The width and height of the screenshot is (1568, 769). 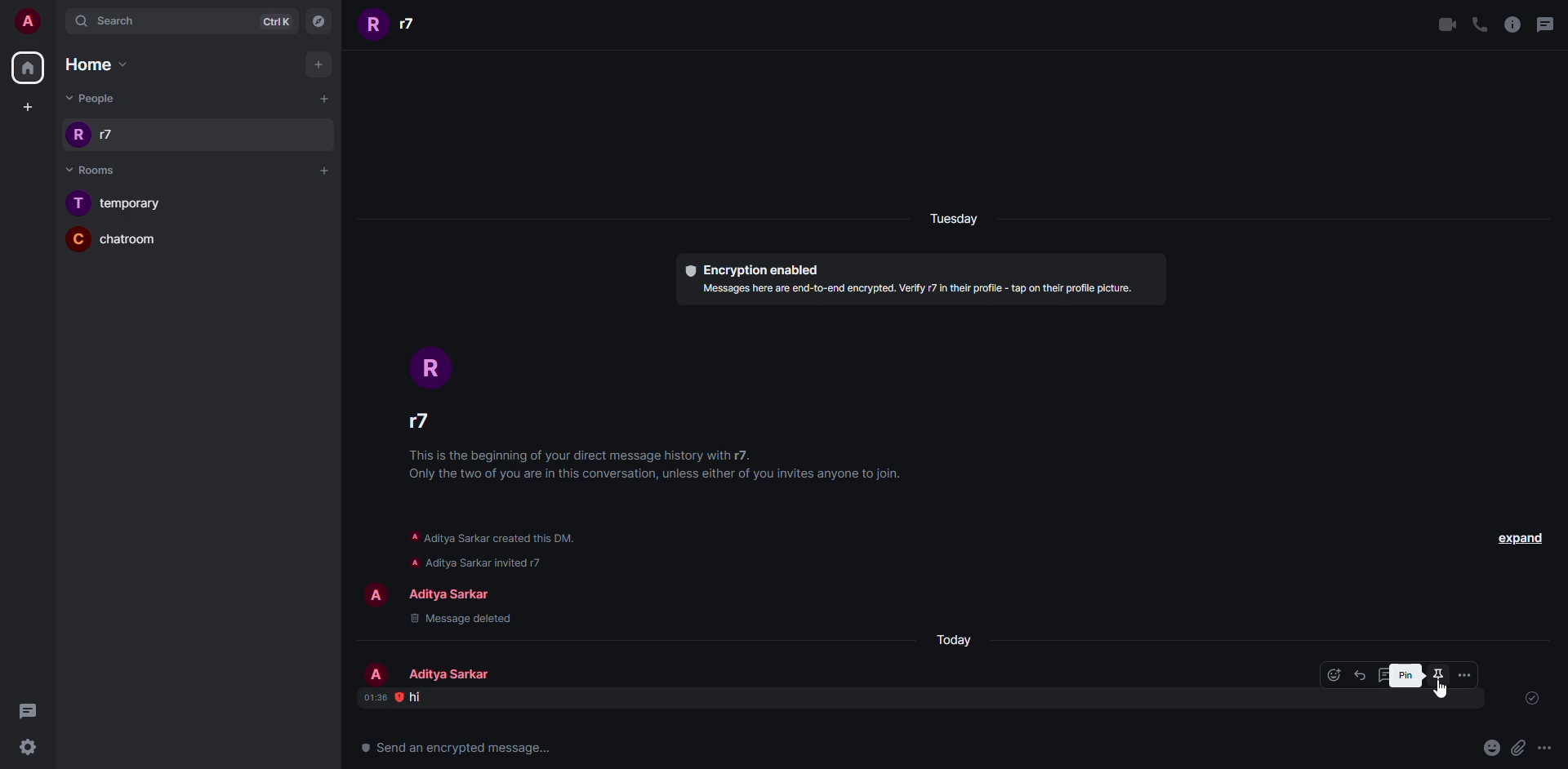 What do you see at coordinates (376, 673) in the screenshot?
I see `profile` at bounding box center [376, 673].